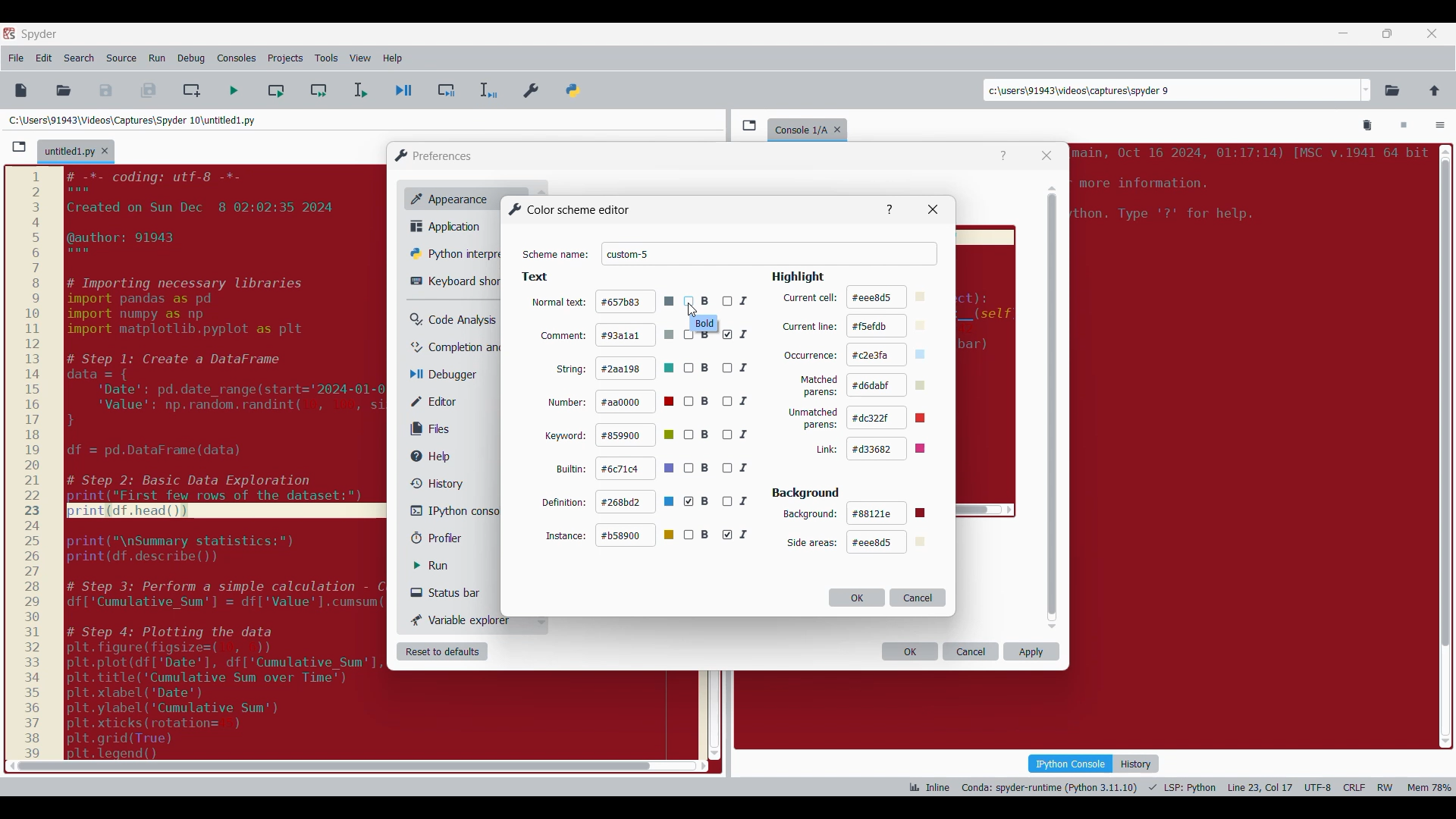  Describe the element at coordinates (890, 355) in the screenshot. I see `c2e3fa` at that location.